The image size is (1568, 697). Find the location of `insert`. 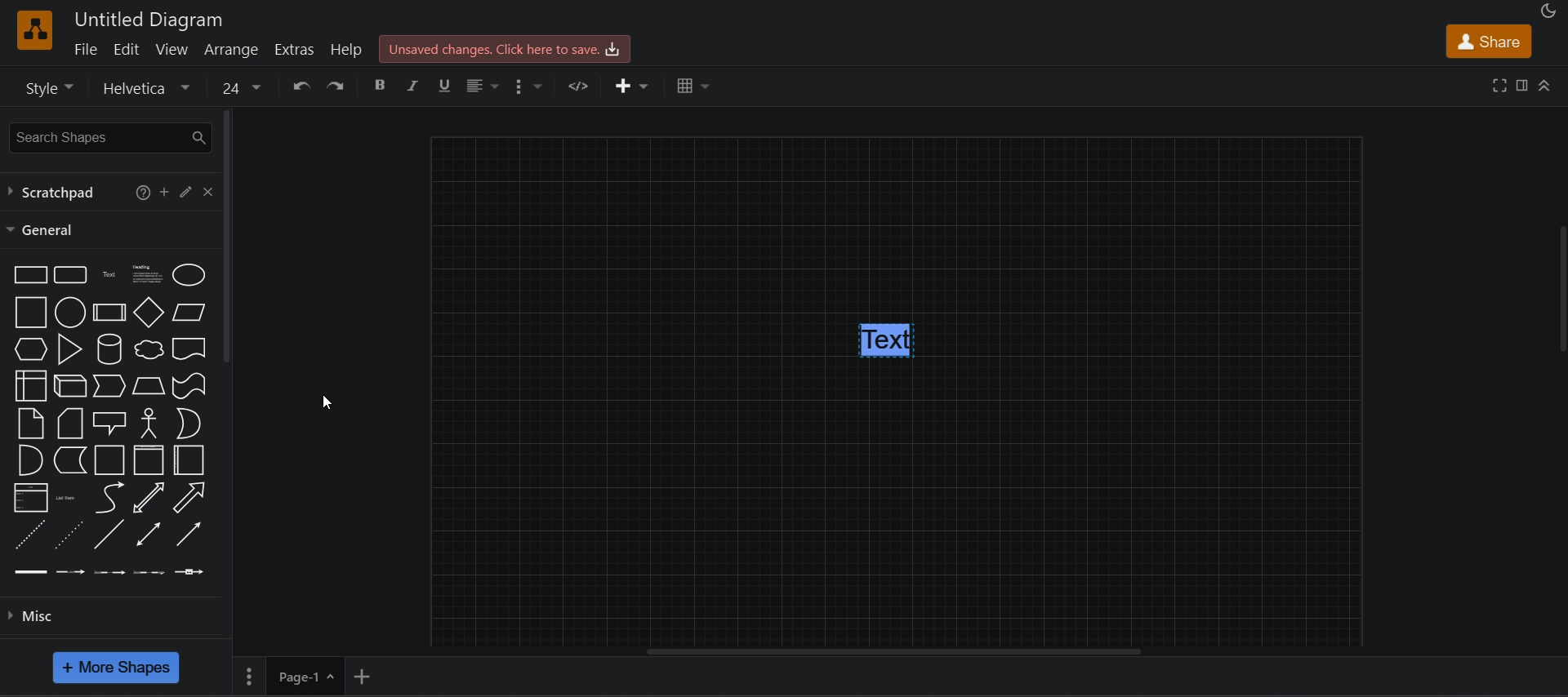

insert is located at coordinates (632, 86).